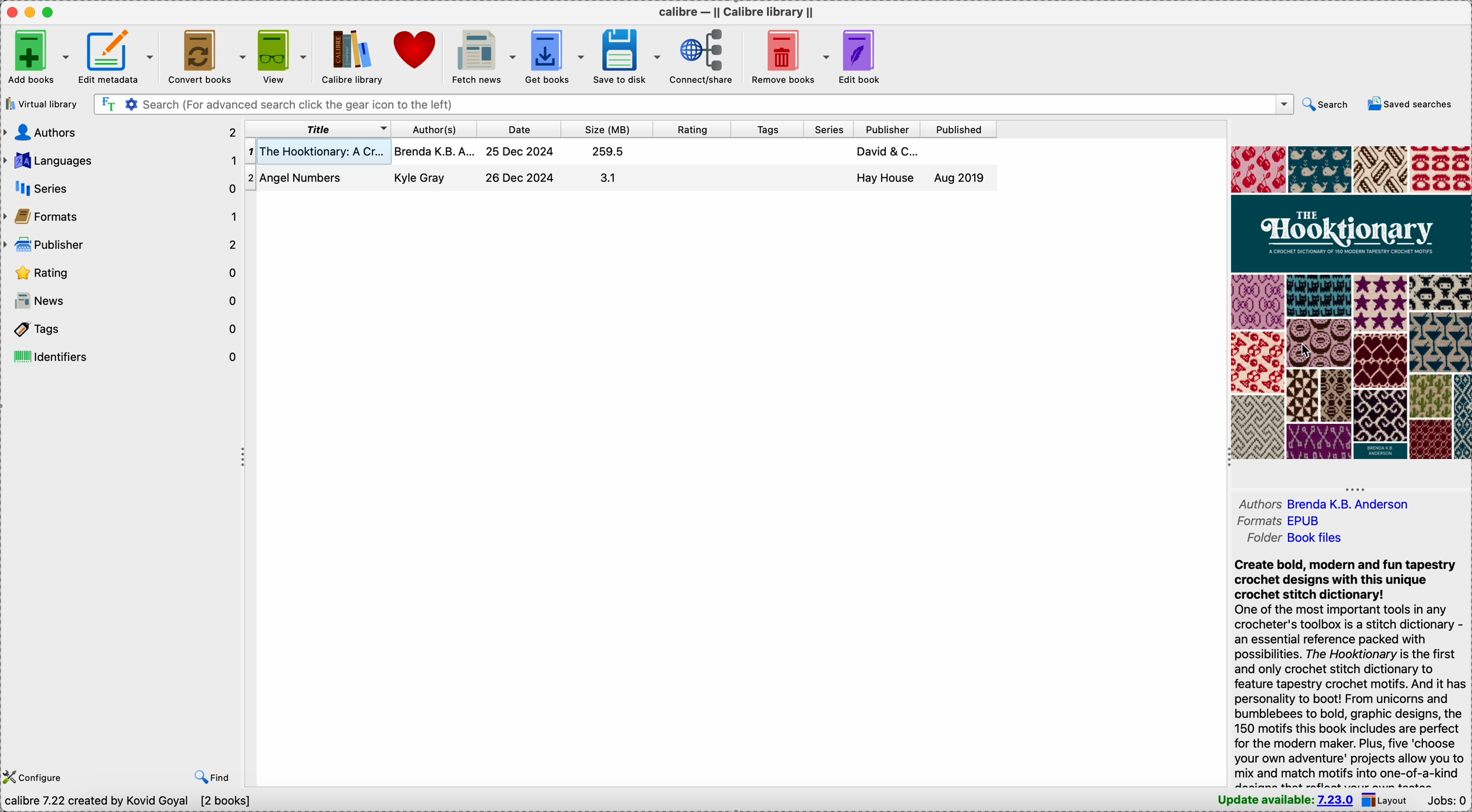 The height and width of the screenshot is (812, 1472). I want to click on find, so click(211, 778).